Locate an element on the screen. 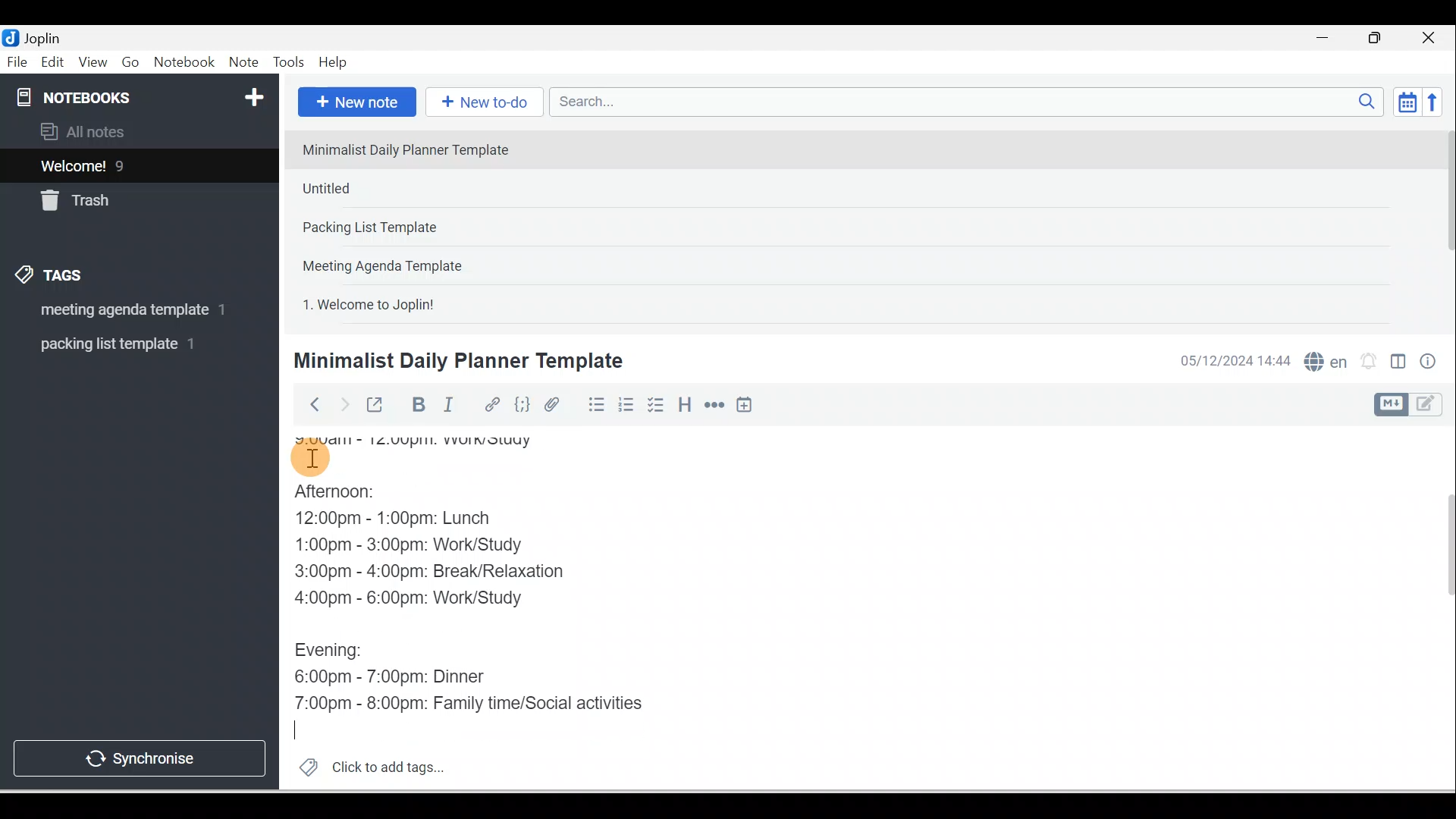 The width and height of the screenshot is (1456, 819). 7:00pm - 8:00pm: Family time/Social activities is located at coordinates (480, 704).